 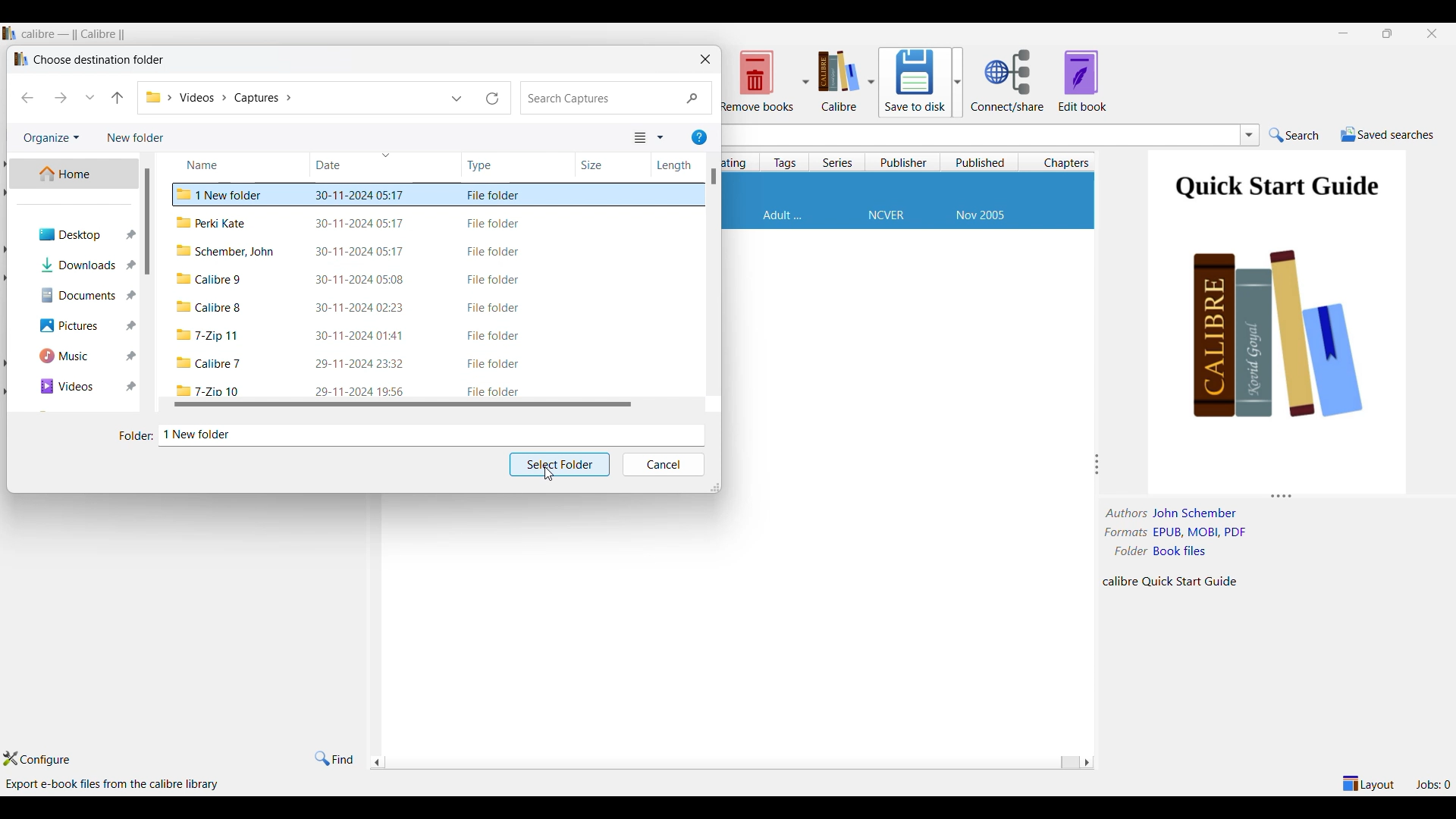 I want to click on Change width of panels attached to this line, so click(x=1100, y=464).